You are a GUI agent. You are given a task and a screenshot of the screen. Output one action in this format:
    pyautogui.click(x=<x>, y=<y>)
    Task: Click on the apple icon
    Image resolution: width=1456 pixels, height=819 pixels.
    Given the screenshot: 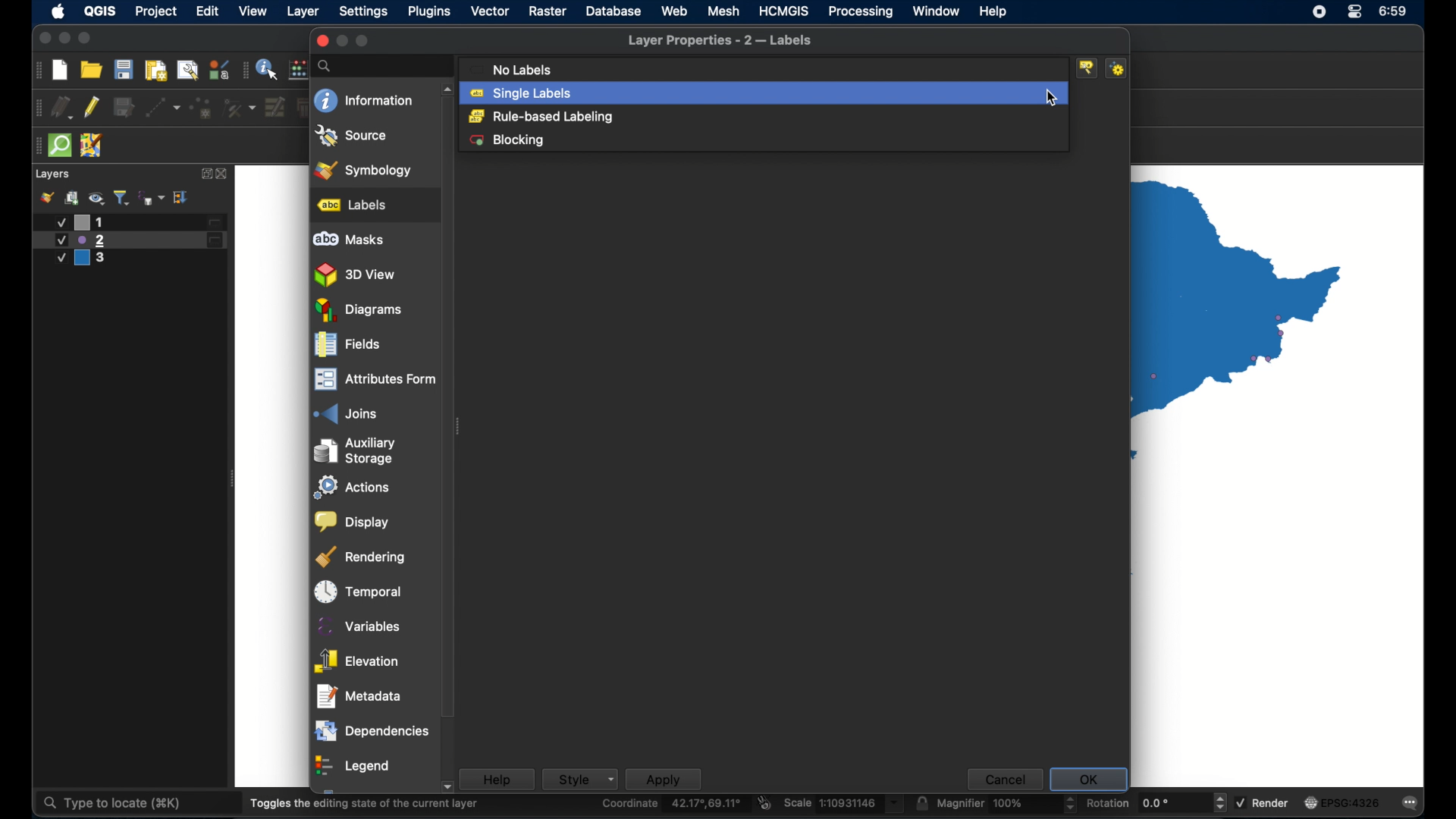 What is the action you would take?
    pyautogui.click(x=59, y=11)
    